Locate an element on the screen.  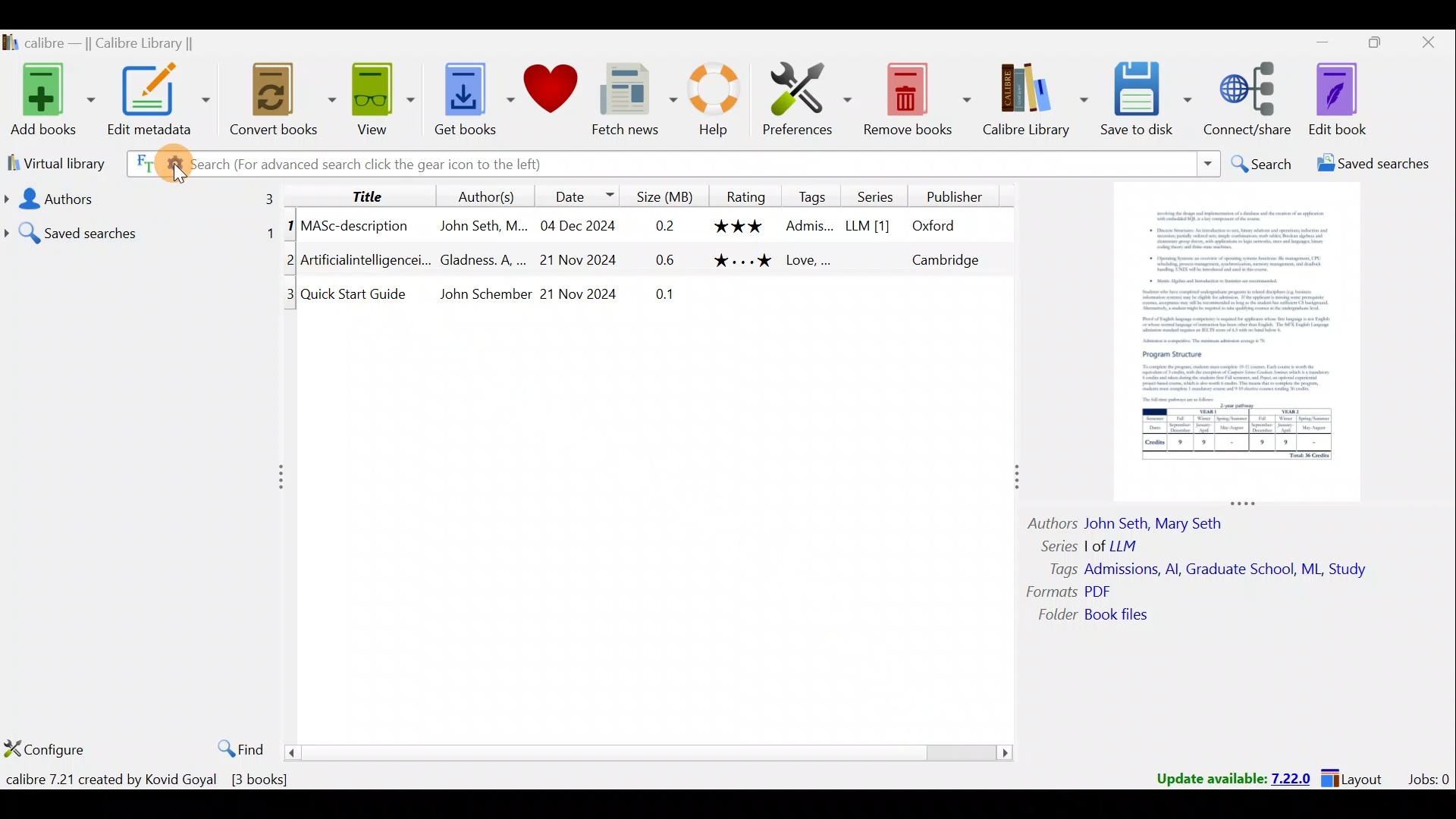
Save to disk is located at coordinates (1148, 101).